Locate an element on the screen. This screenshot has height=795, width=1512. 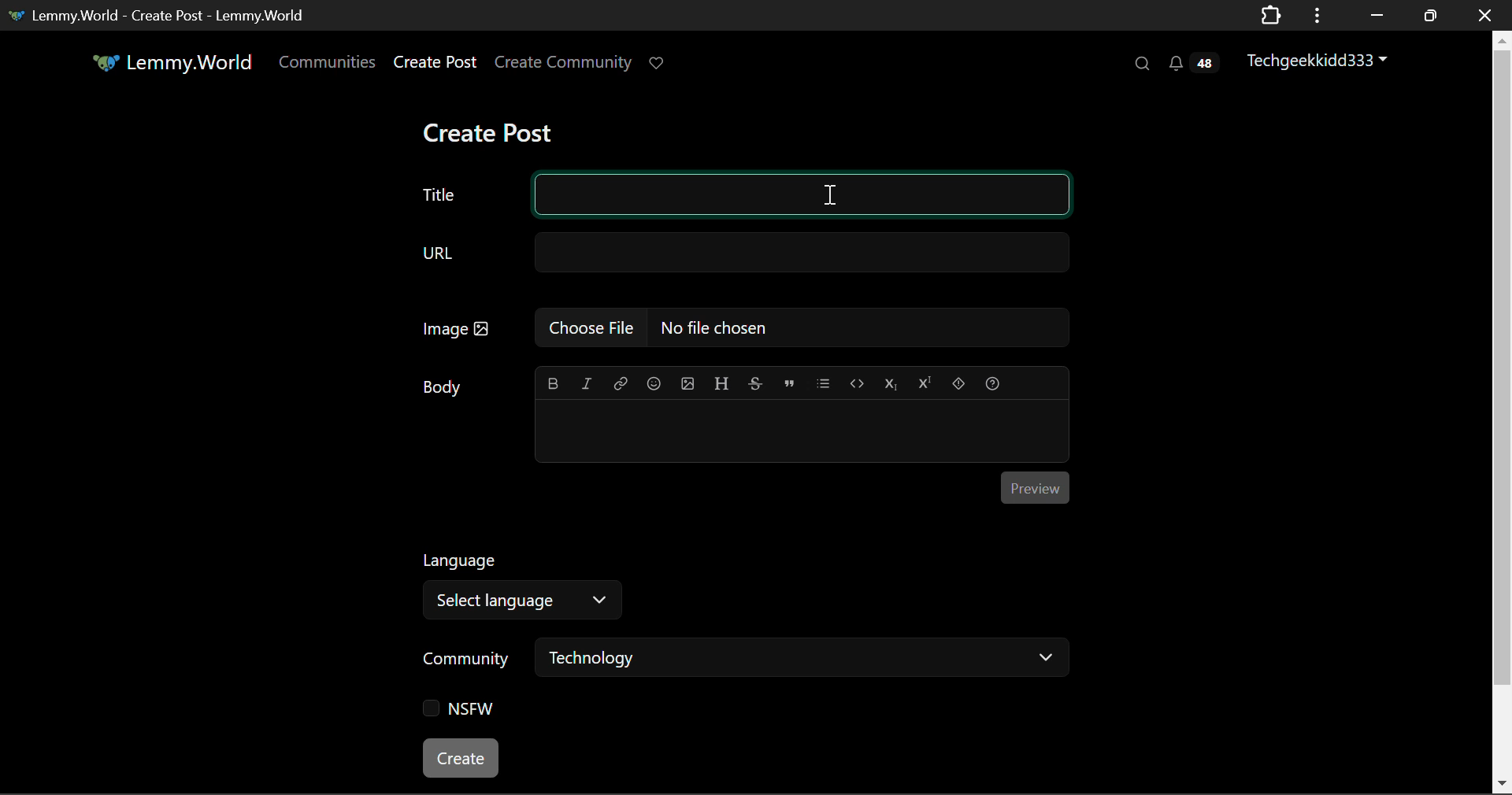
Extensions is located at coordinates (1270, 14).